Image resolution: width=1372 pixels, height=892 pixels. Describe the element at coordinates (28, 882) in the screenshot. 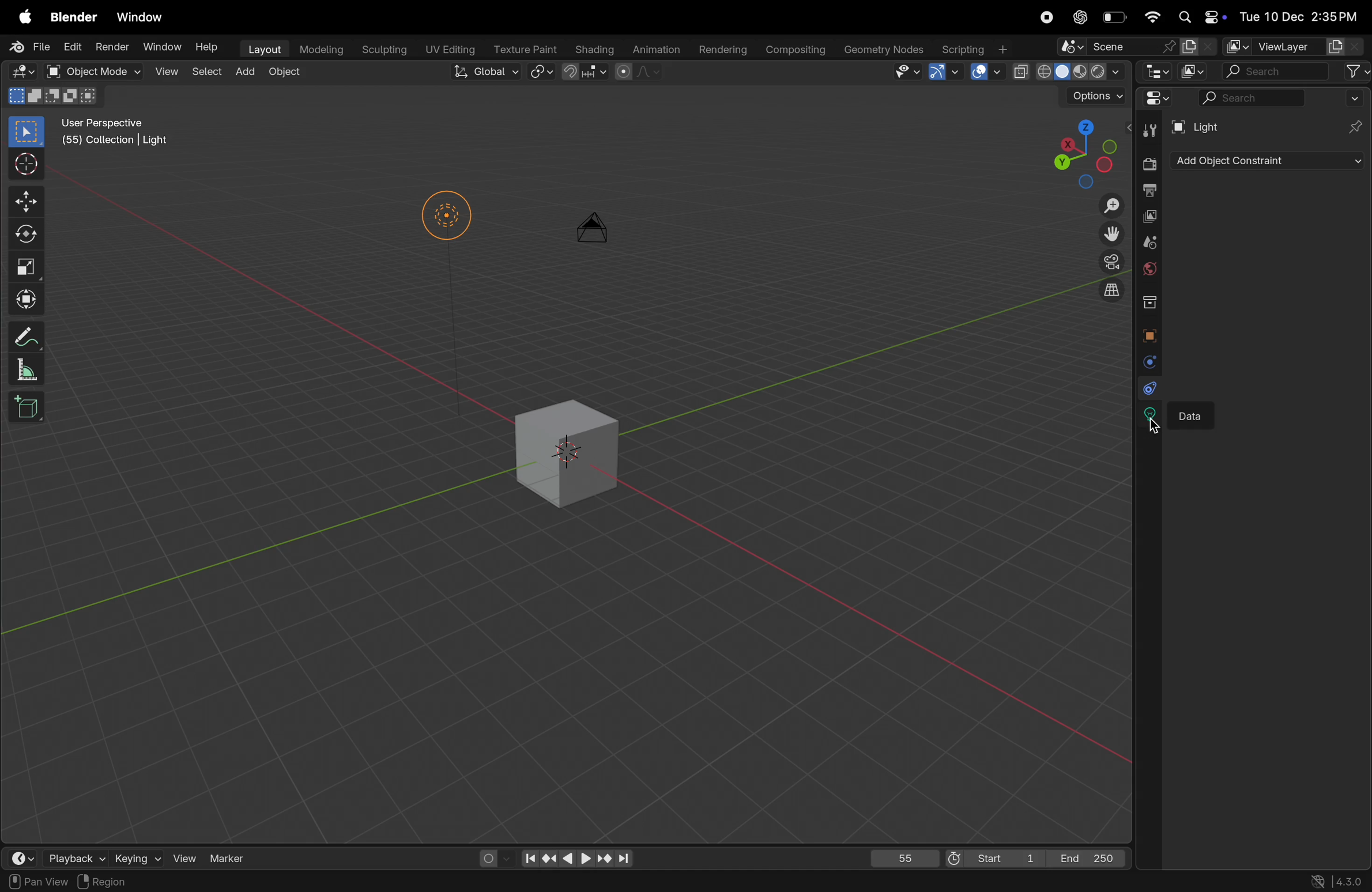

I see `select` at that location.